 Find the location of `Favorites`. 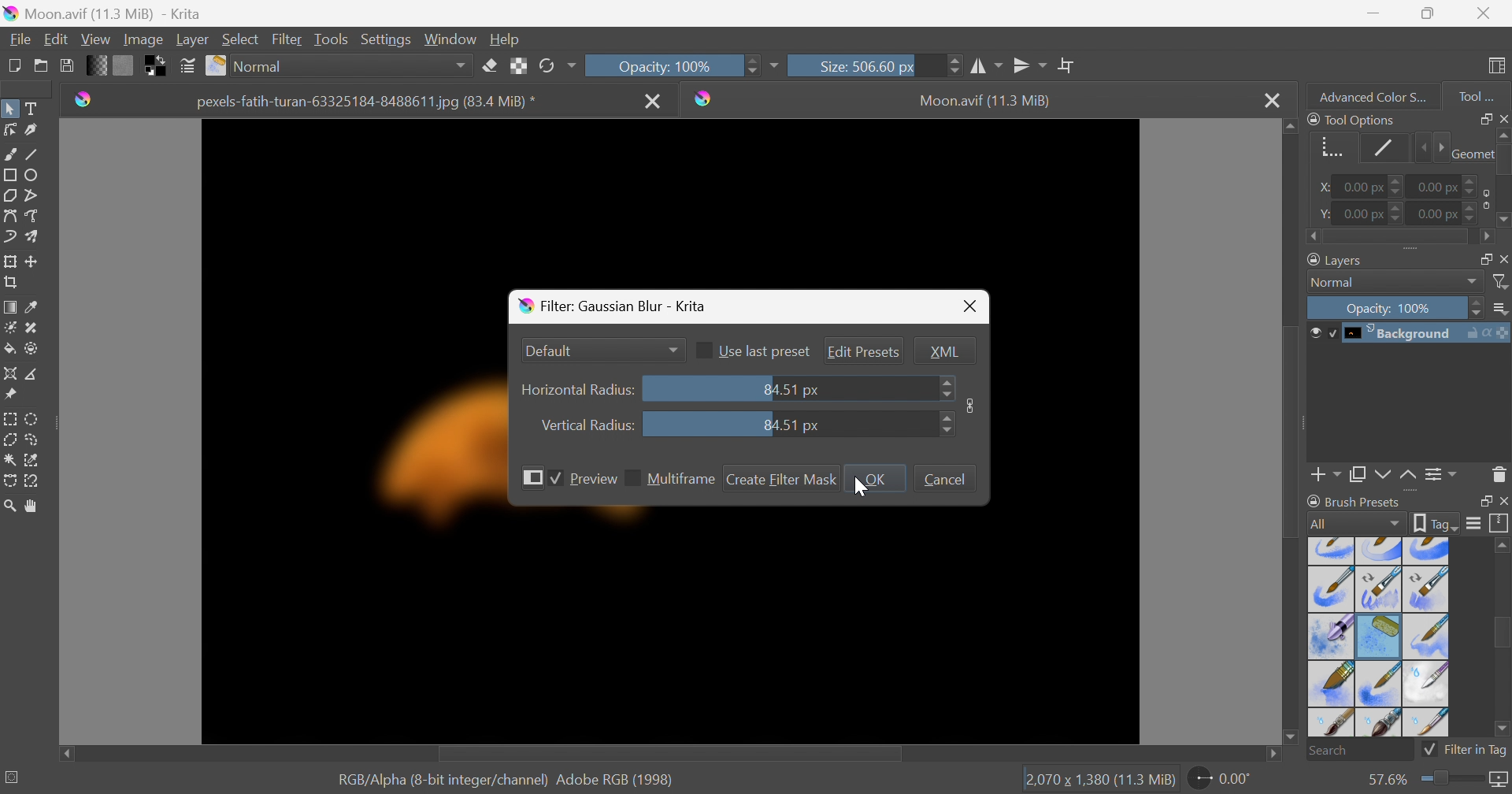

Favorites is located at coordinates (340, 66).